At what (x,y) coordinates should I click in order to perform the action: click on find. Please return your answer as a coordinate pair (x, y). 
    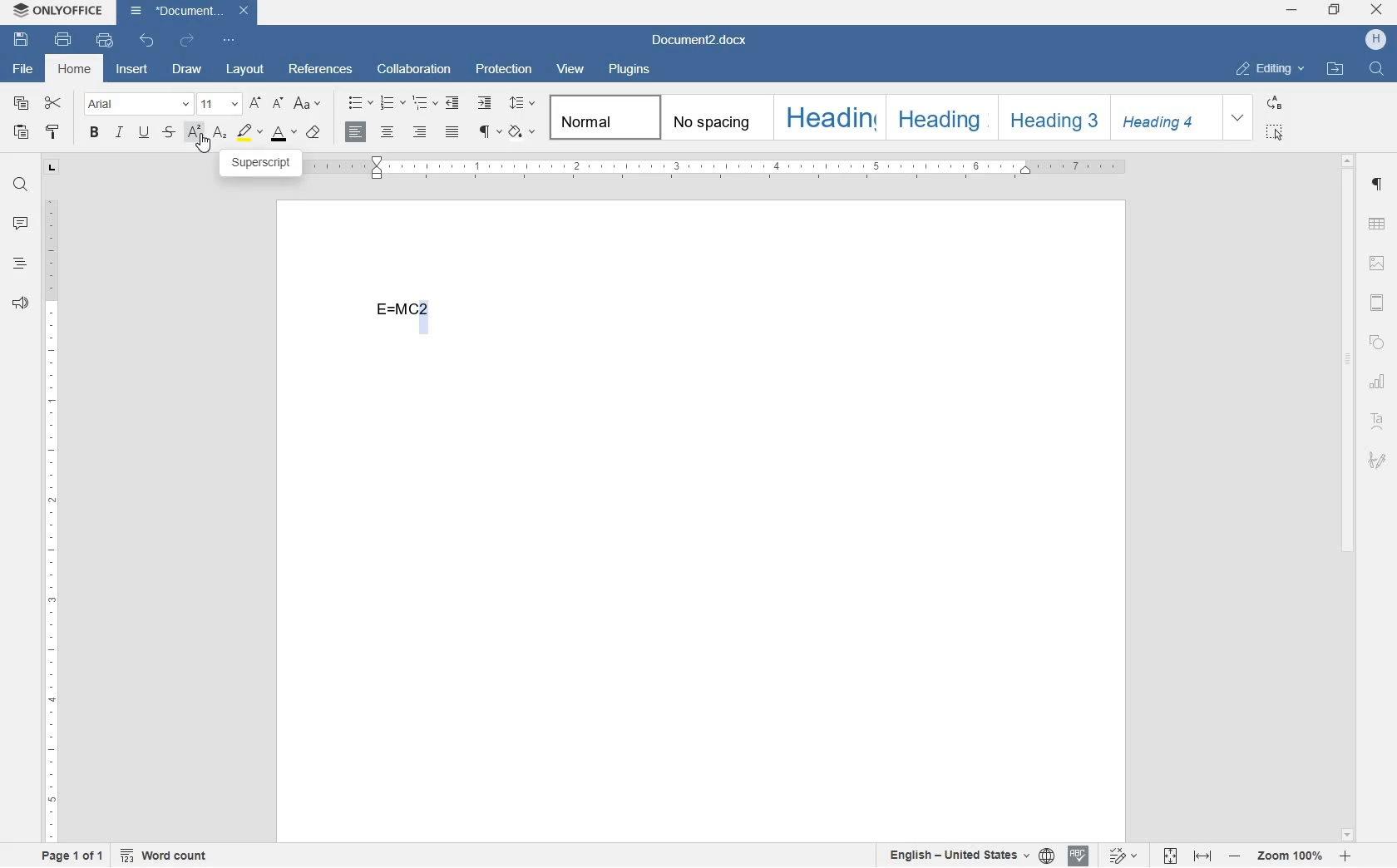
    Looking at the image, I should click on (1375, 68).